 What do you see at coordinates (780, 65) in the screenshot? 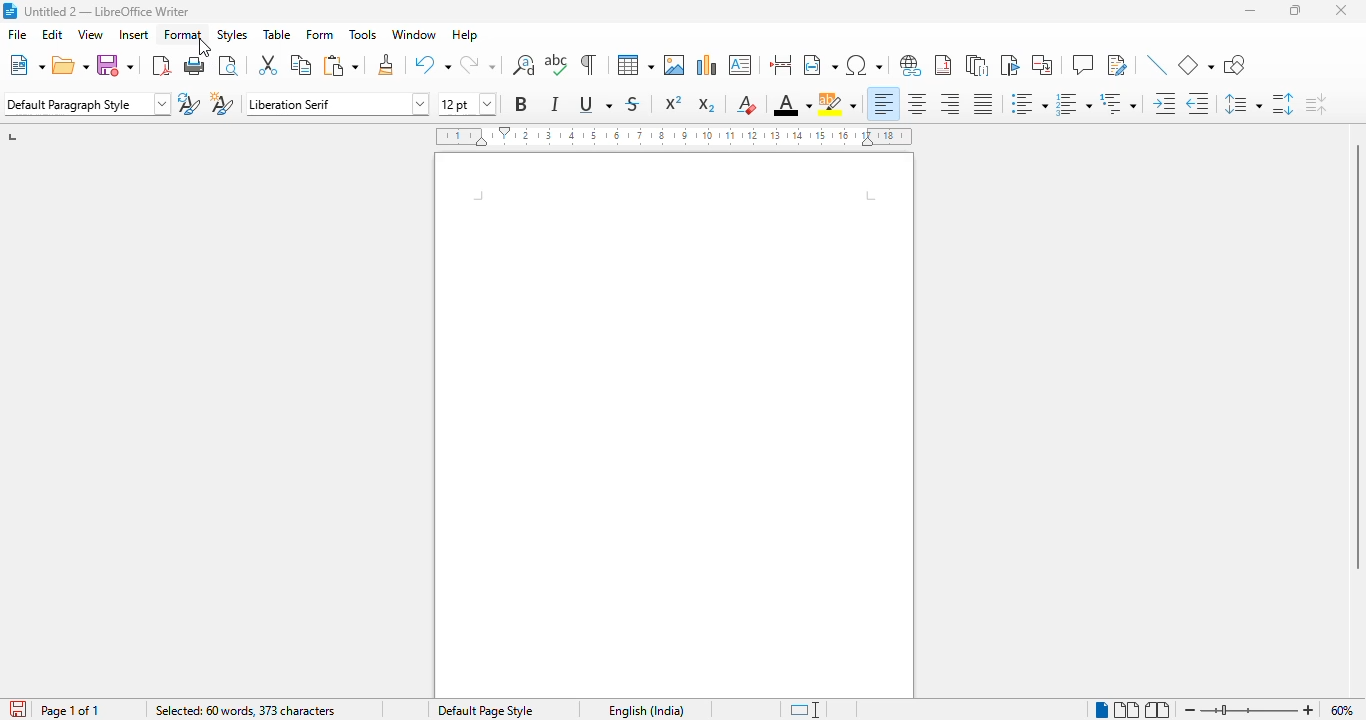
I see `insert page break` at bounding box center [780, 65].